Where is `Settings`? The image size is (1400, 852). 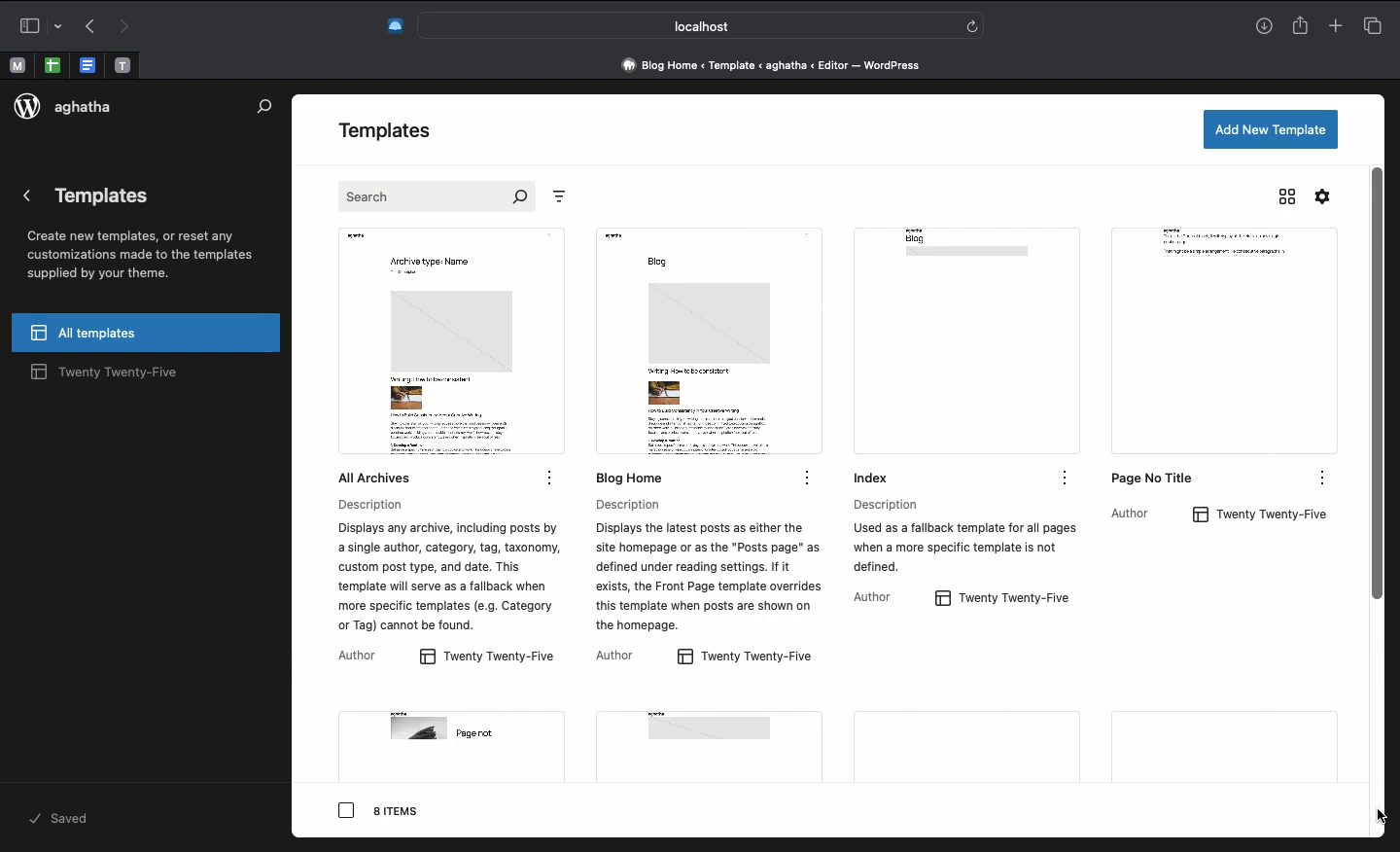 Settings is located at coordinates (1322, 197).